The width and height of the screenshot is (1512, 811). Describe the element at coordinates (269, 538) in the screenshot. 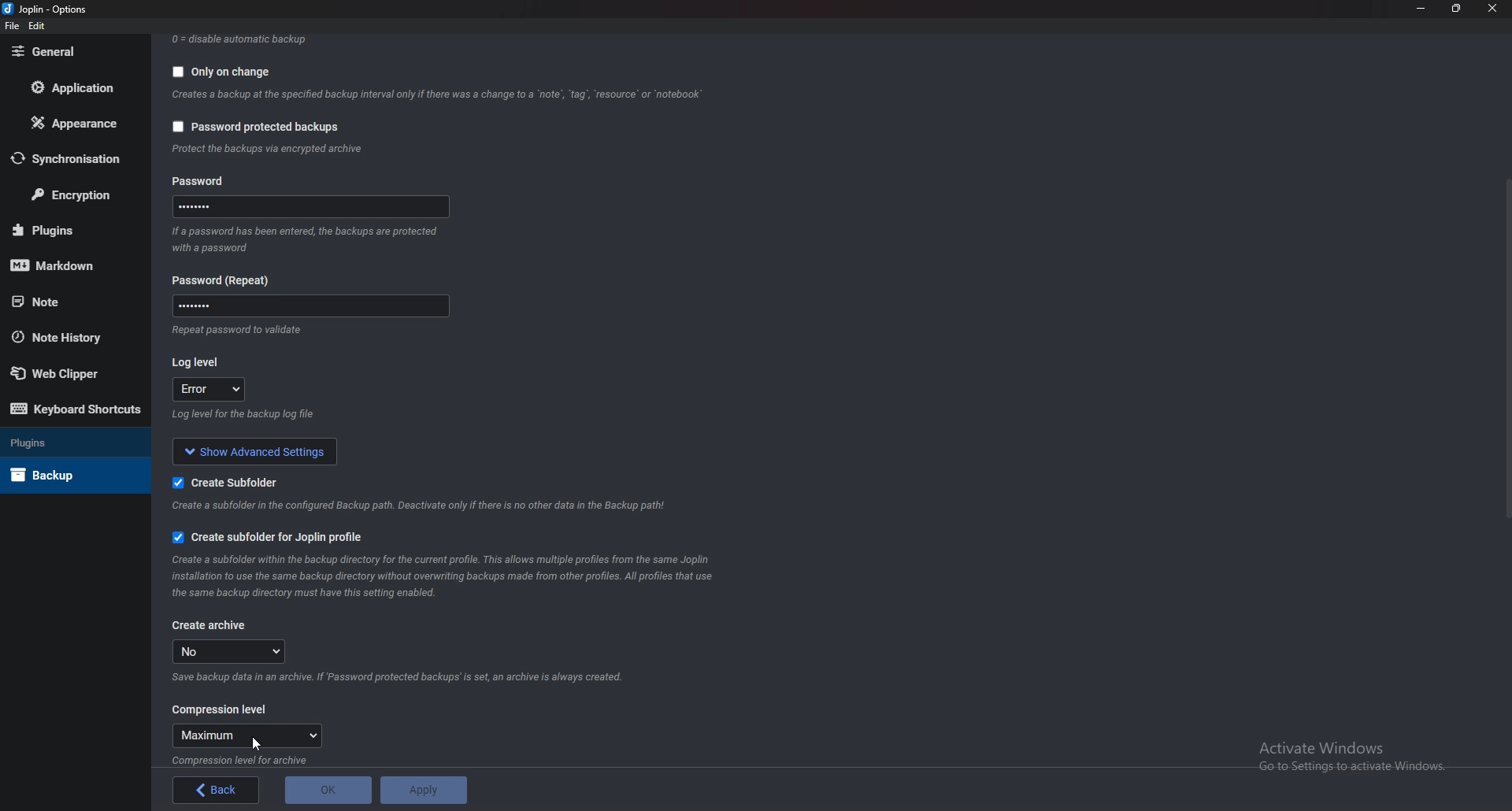

I see `Create sub folder for joplin profile` at that location.